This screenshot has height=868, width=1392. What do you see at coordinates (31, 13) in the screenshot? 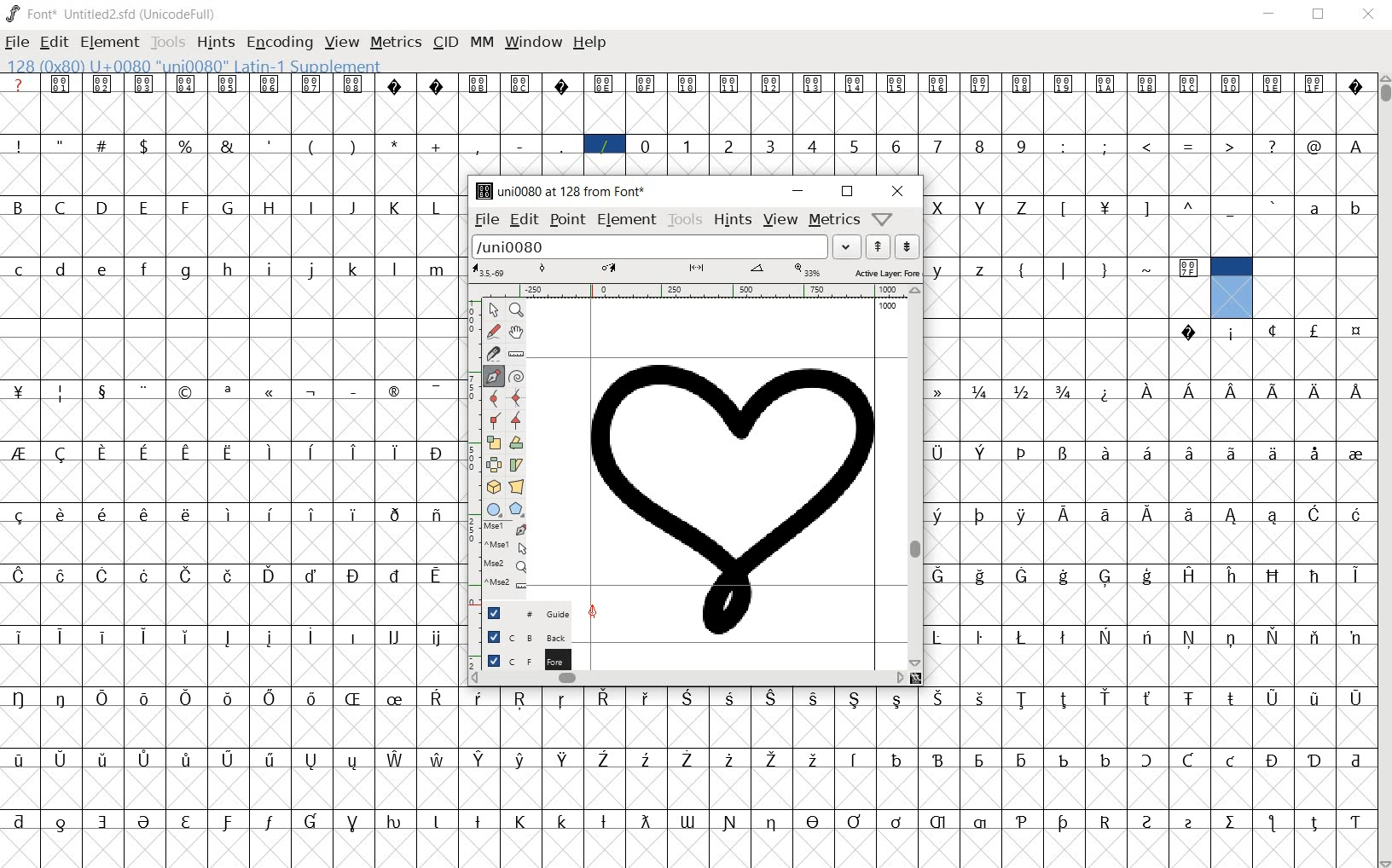
I see `FONT` at bounding box center [31, 13].